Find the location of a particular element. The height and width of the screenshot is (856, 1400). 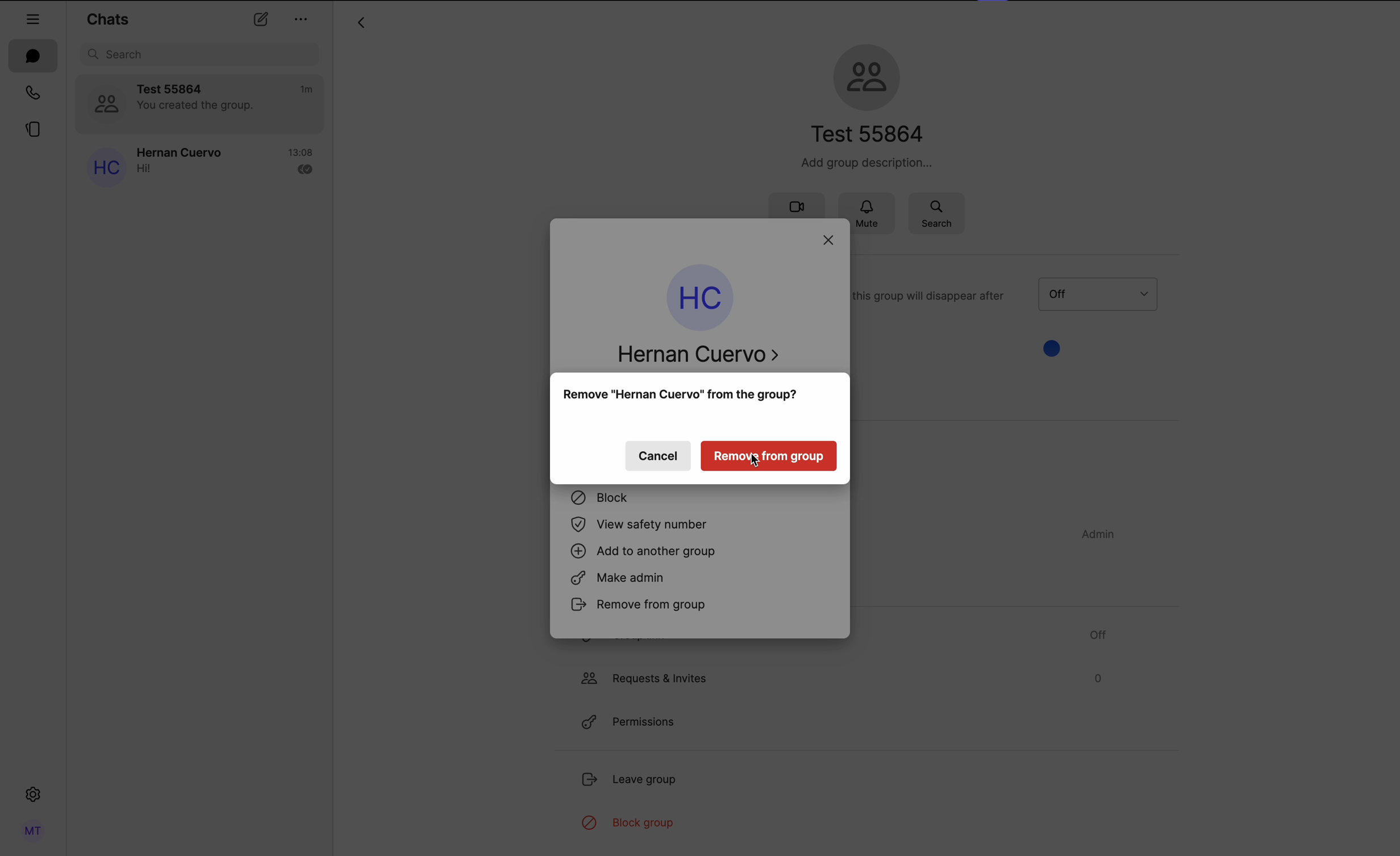

chats is located at coordinates (34, 56).